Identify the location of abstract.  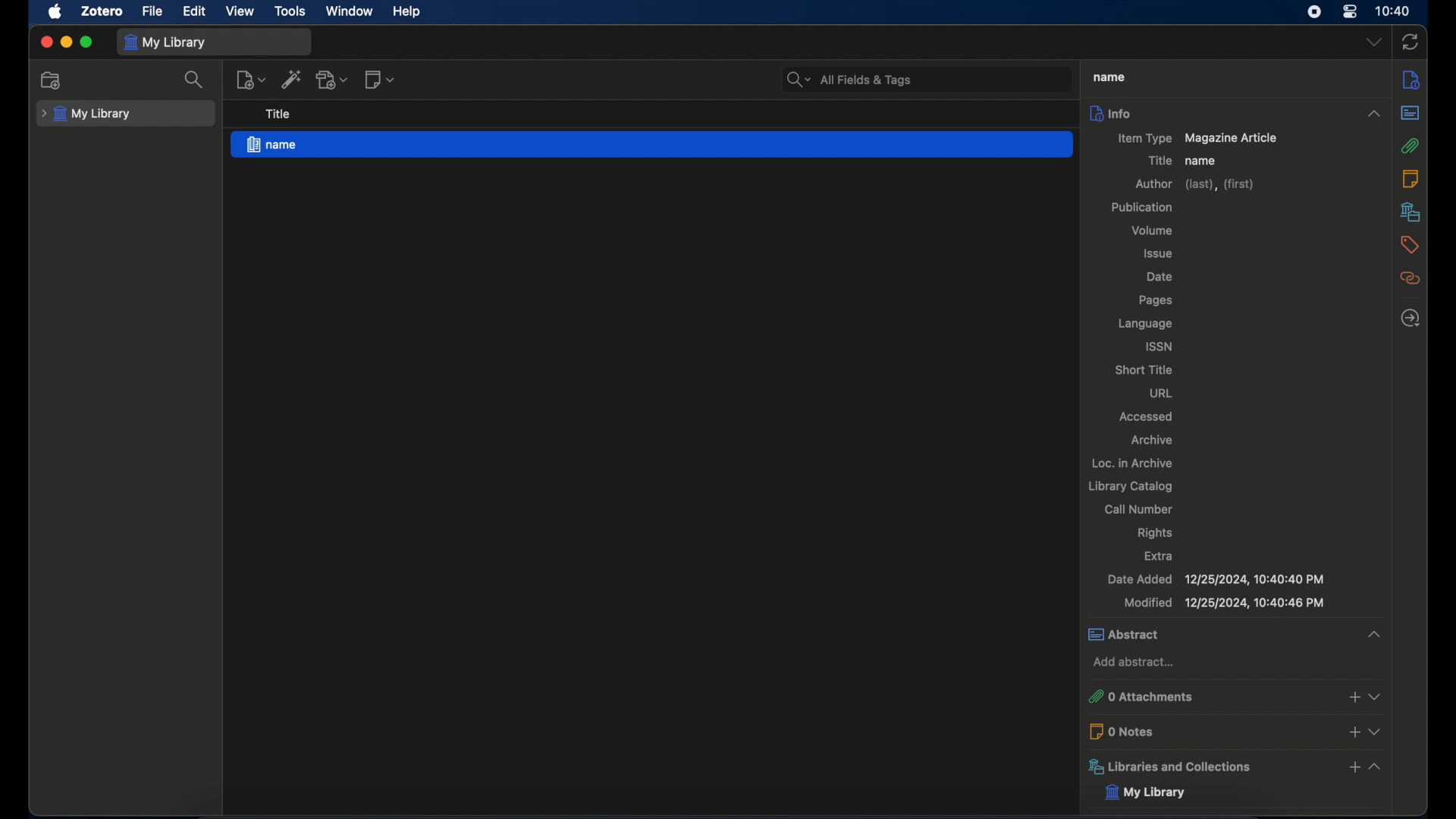
(1410, 113).